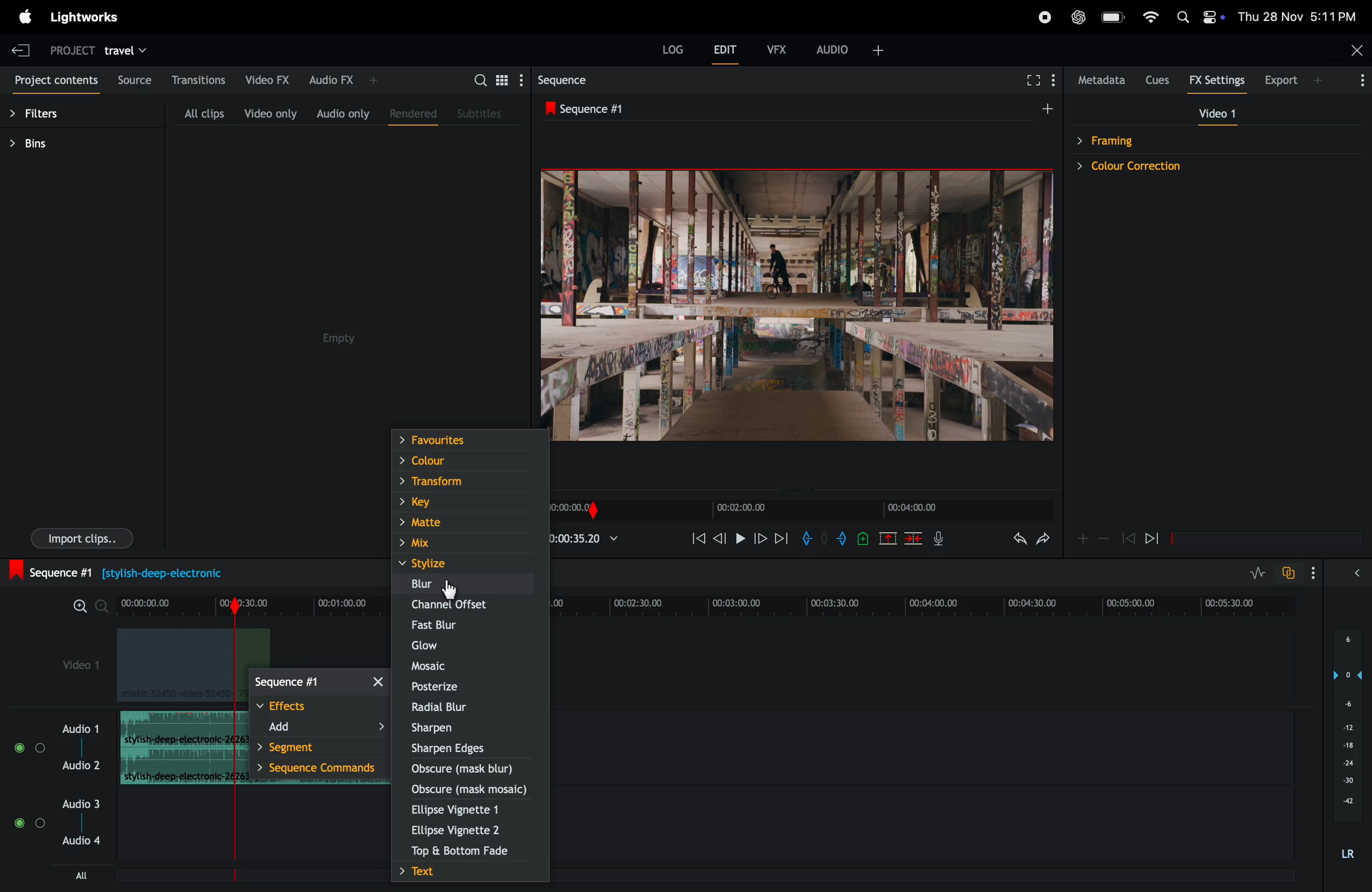  I want to click on vfx, so click(777, 48).